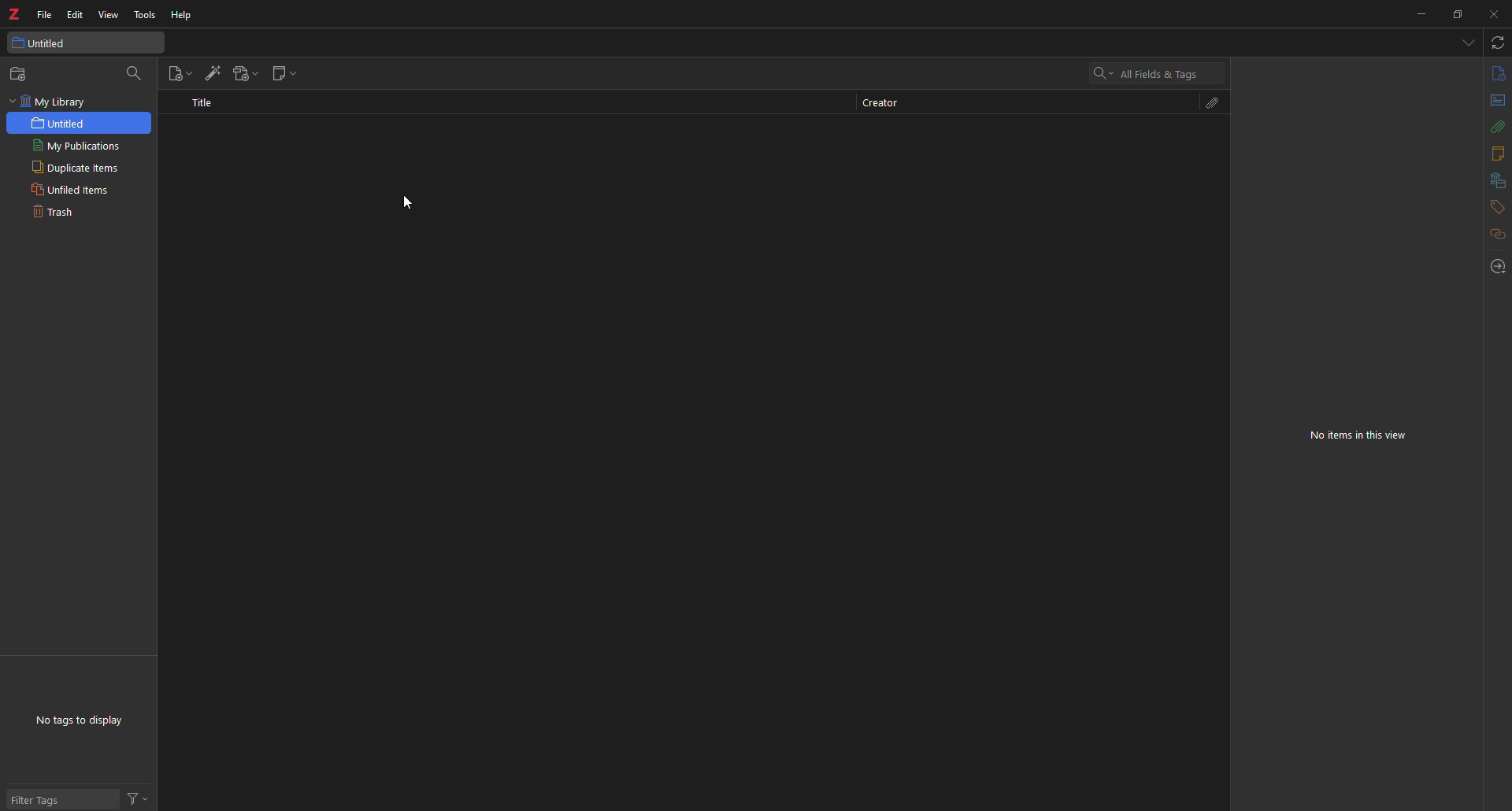 This screenshot has width=1512, height=811. Describe the element at coordinates (109, 14) in the screenshot. I see `view` at that location.